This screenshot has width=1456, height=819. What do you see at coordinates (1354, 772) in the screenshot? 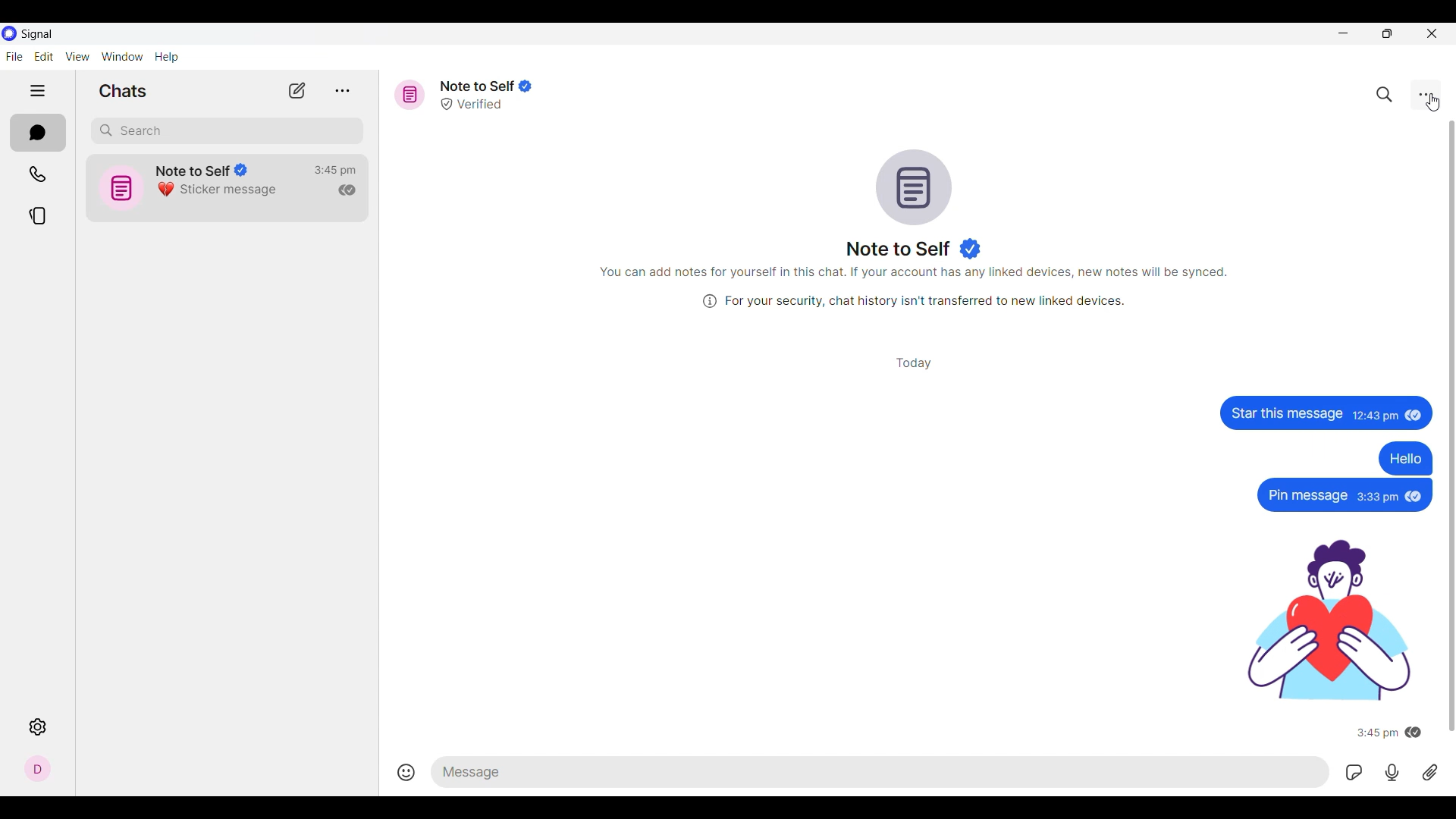
I see `GIFs` at bounding box center [1354, 772].